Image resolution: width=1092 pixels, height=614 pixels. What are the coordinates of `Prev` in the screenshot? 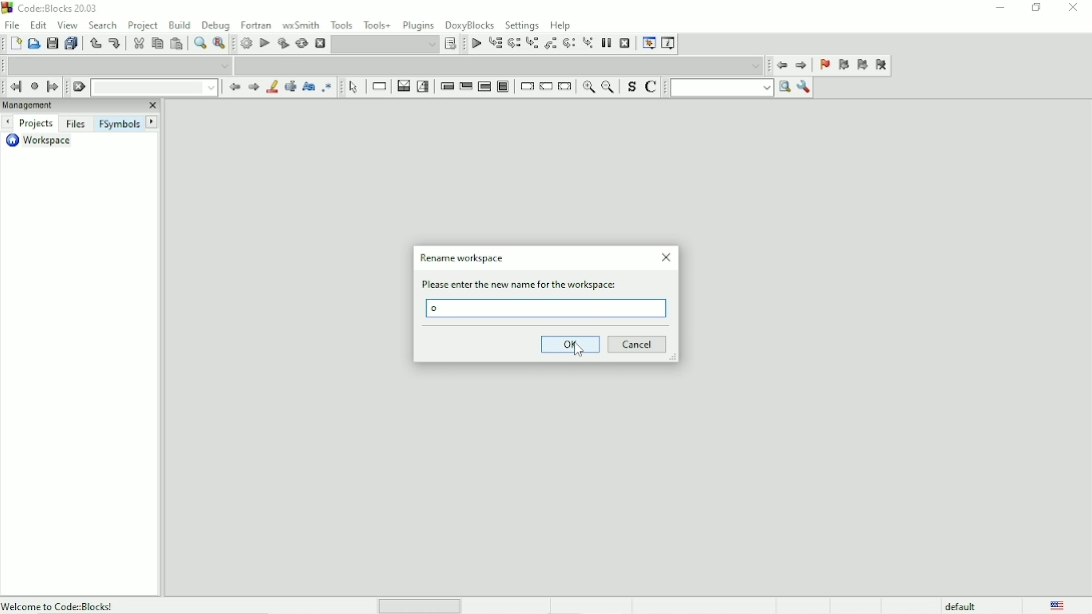 It's located at (235, 88).